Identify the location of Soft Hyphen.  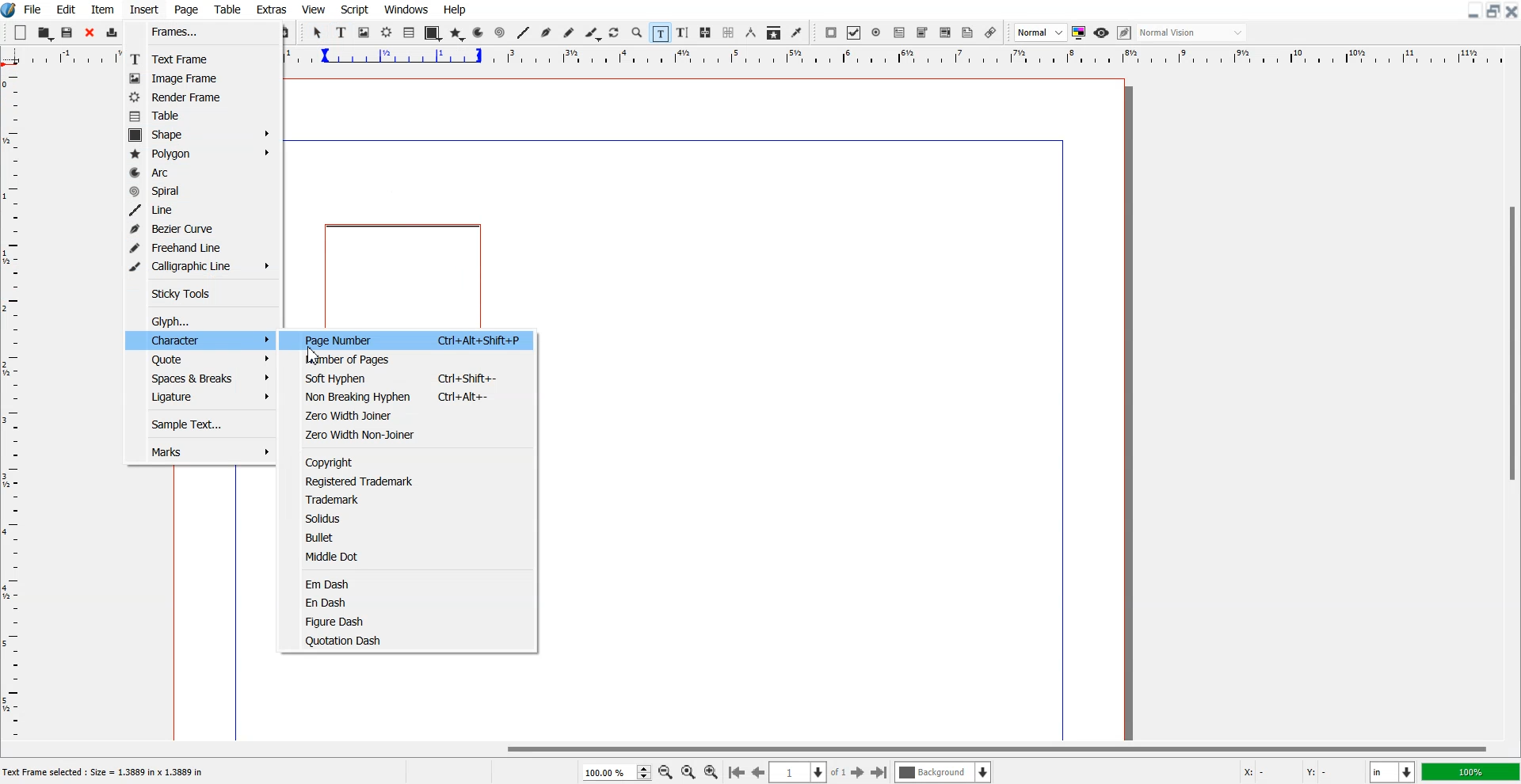
(415, 378).